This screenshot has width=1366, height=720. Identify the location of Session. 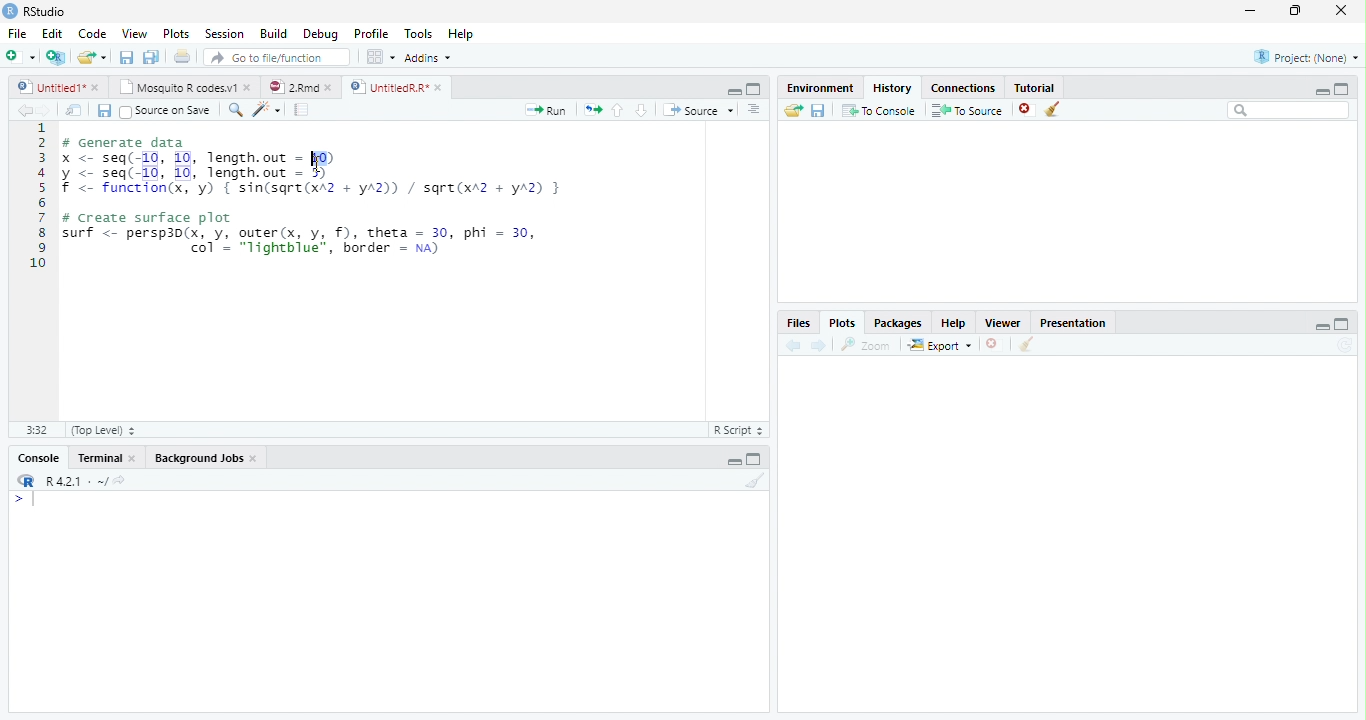
(223, 34).